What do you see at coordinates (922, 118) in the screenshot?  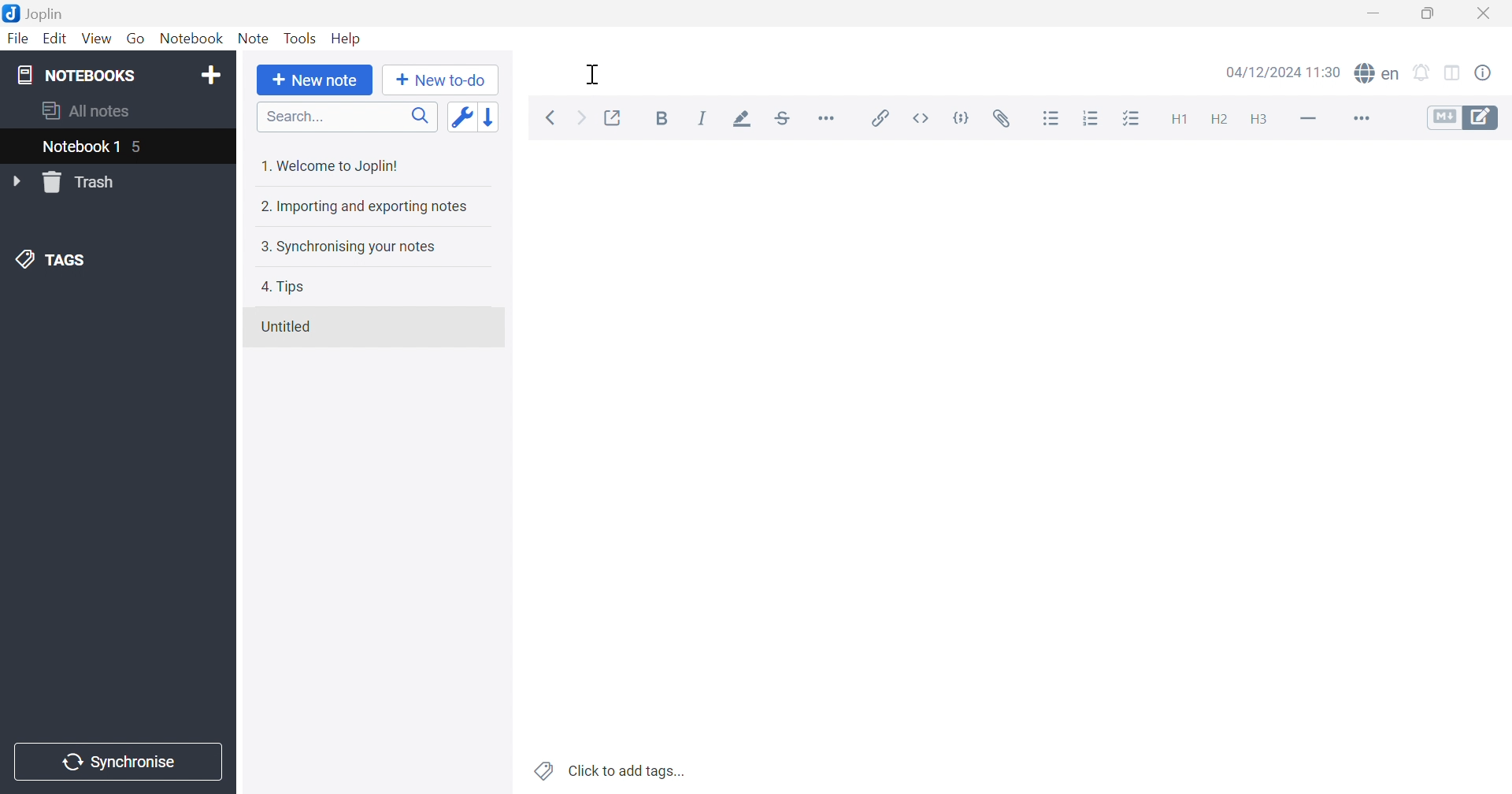 I see `inline code` at bounding box center [922, 118].